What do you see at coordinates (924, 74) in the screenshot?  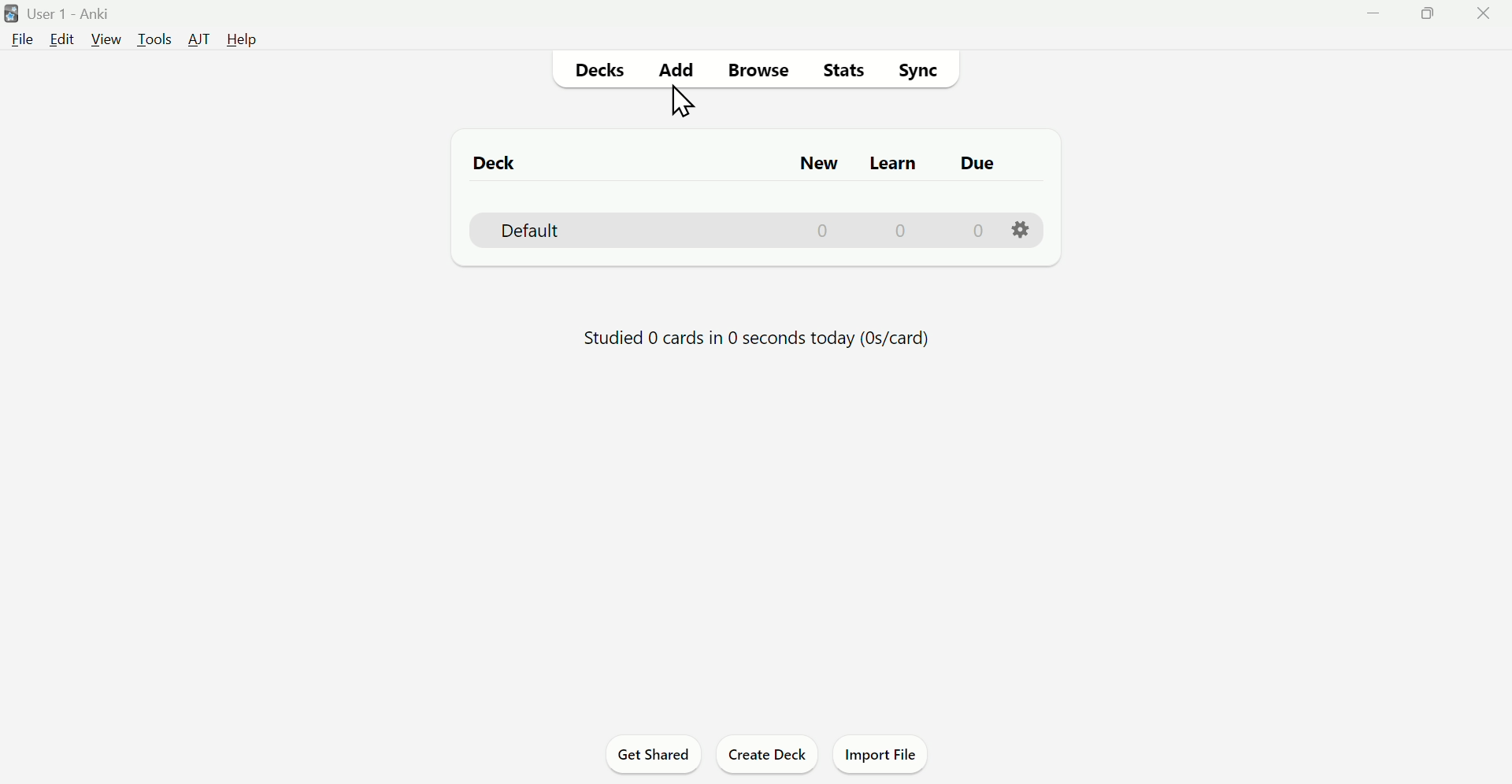 I see `Sync` at bounding box center [924, 74].